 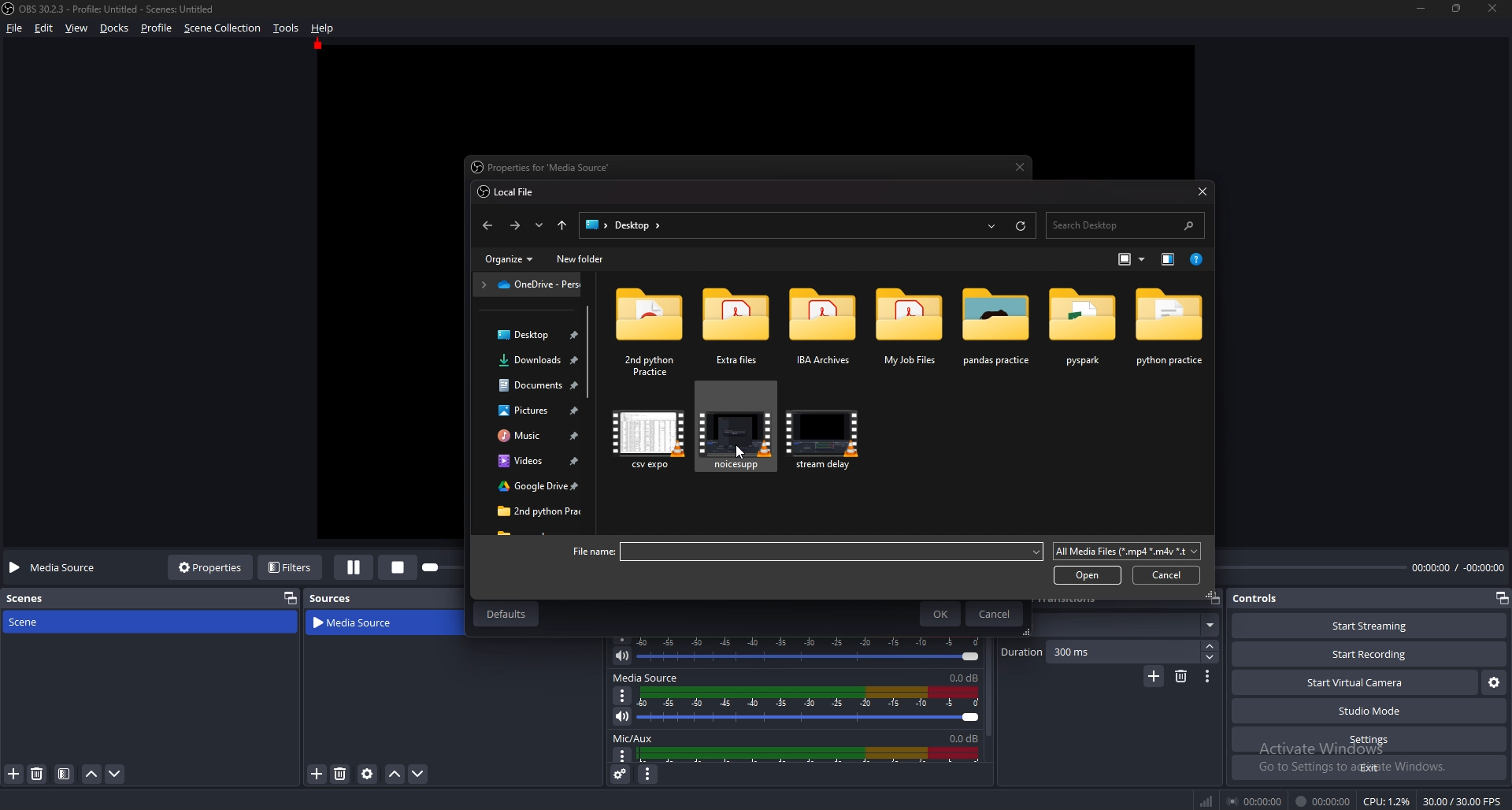 I want to click on move scene down, so click(x=116, y=773).